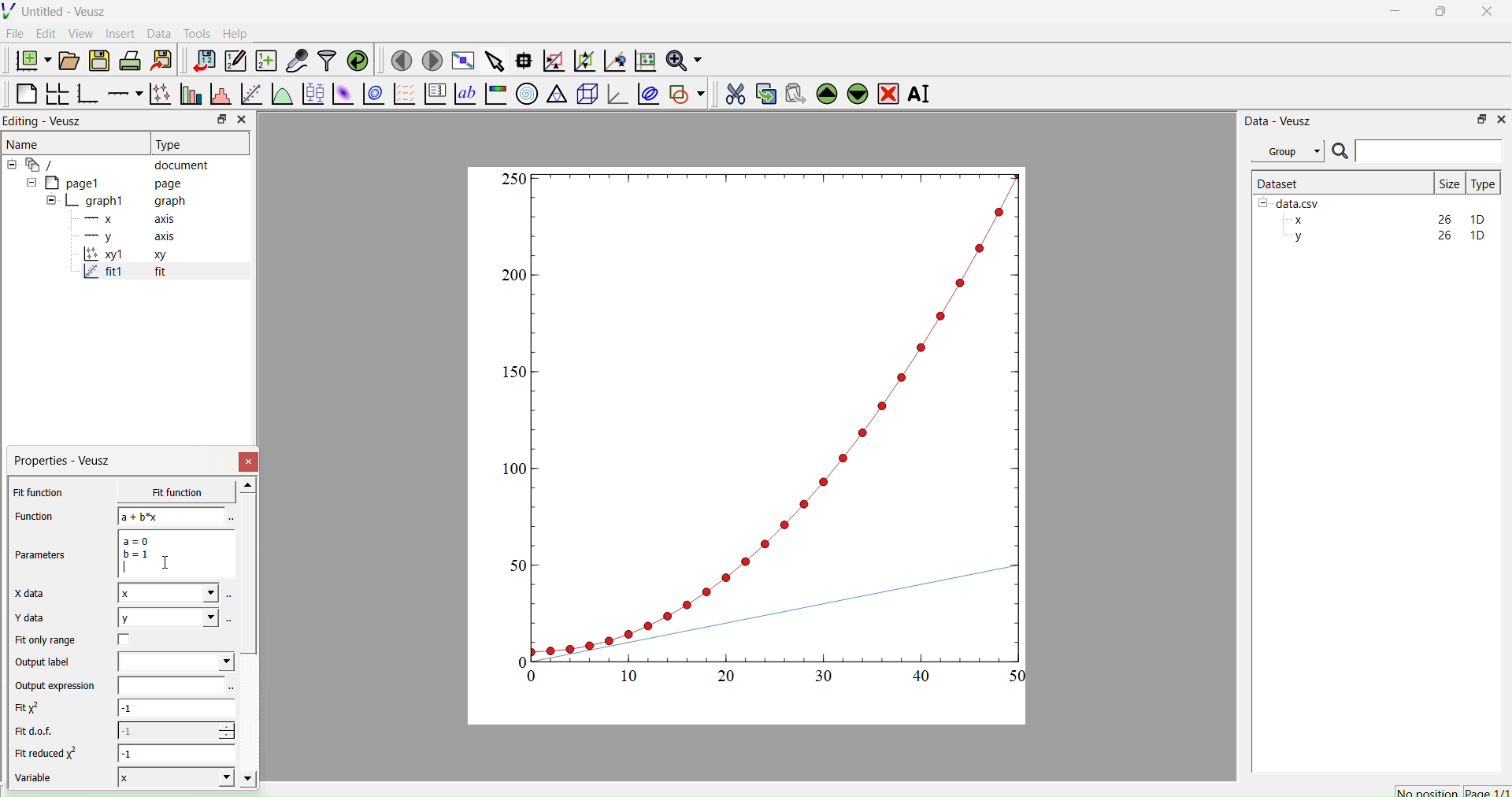 This screenshot has width=1512, height=797. I want to click on Cursor, so click(168, 563).